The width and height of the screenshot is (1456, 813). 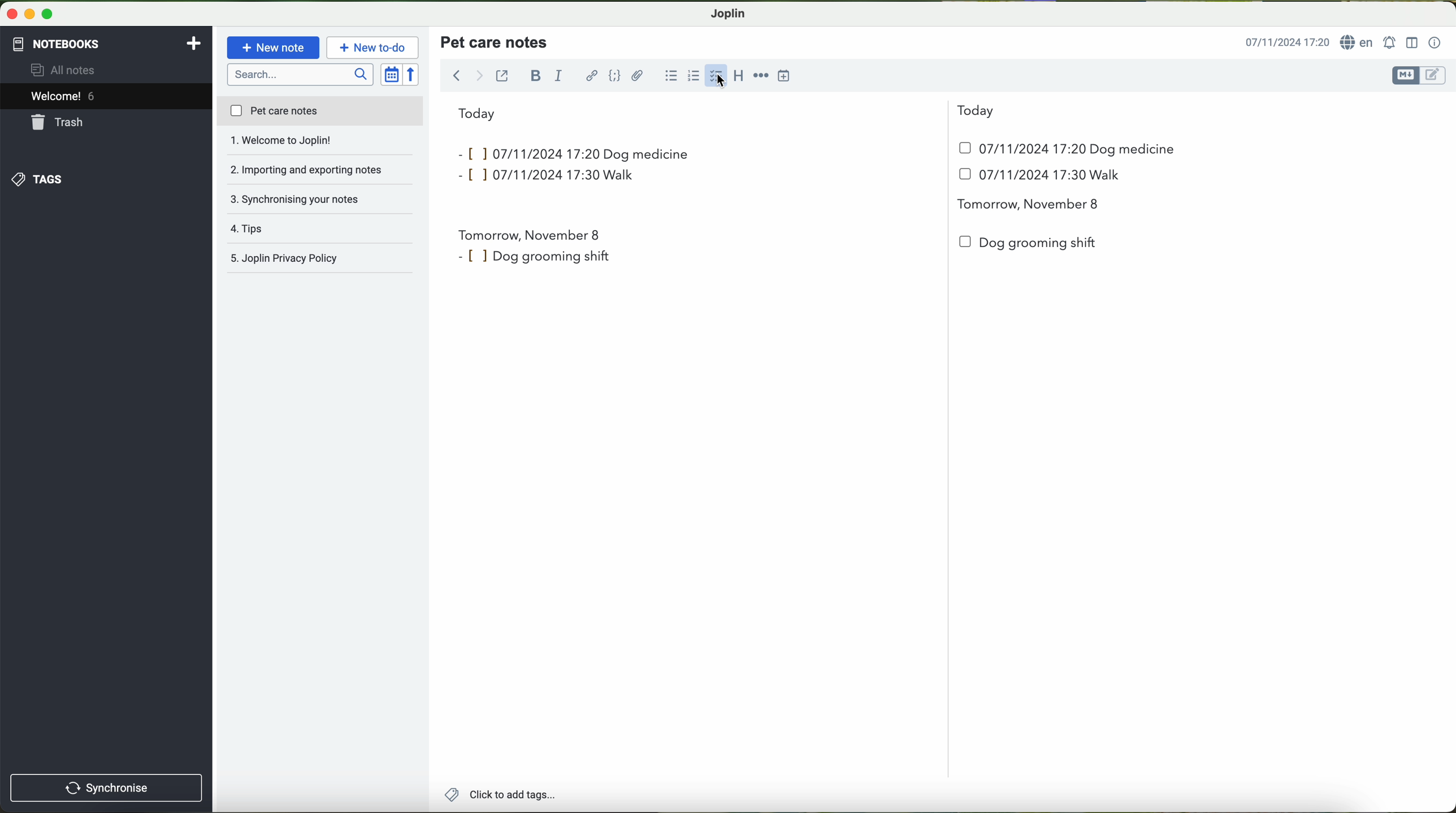 I want to click on Dog grooming shift, so click(x=532, y=254).